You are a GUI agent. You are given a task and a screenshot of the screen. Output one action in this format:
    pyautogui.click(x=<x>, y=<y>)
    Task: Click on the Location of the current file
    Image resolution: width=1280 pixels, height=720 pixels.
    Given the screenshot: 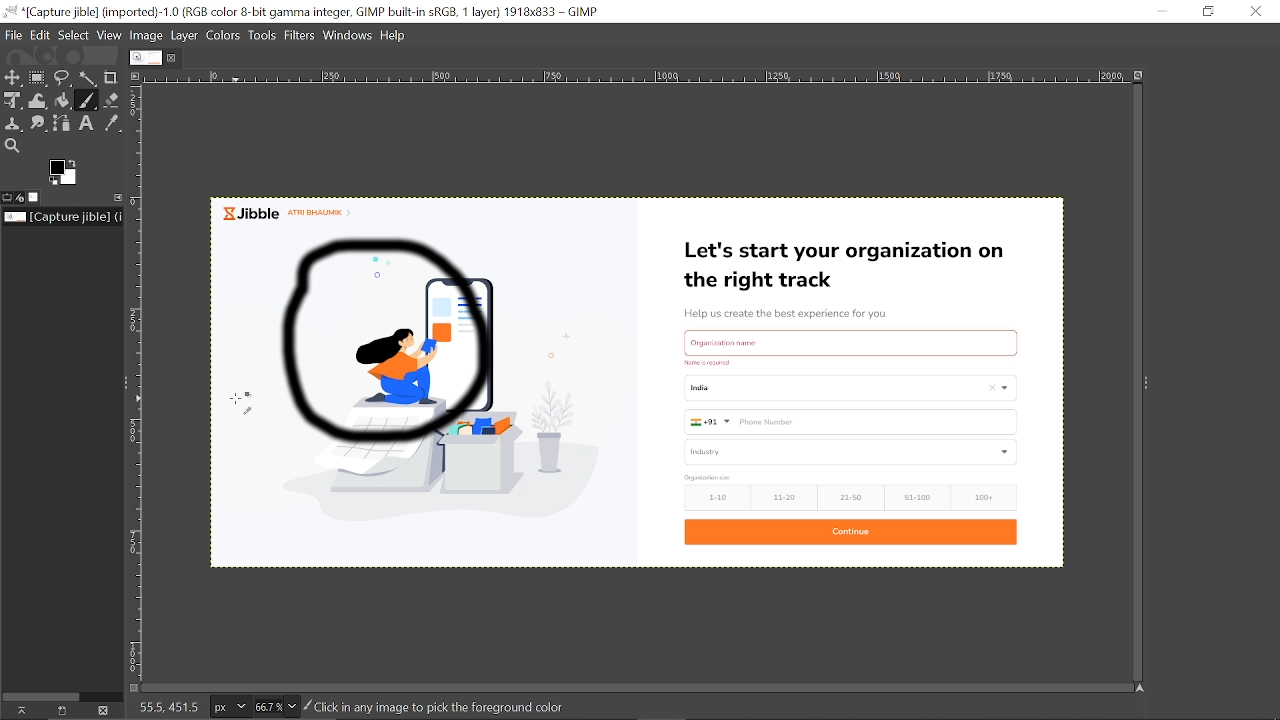 What is the action you would take?
    pyautogui.click(x=62, y=217)
    